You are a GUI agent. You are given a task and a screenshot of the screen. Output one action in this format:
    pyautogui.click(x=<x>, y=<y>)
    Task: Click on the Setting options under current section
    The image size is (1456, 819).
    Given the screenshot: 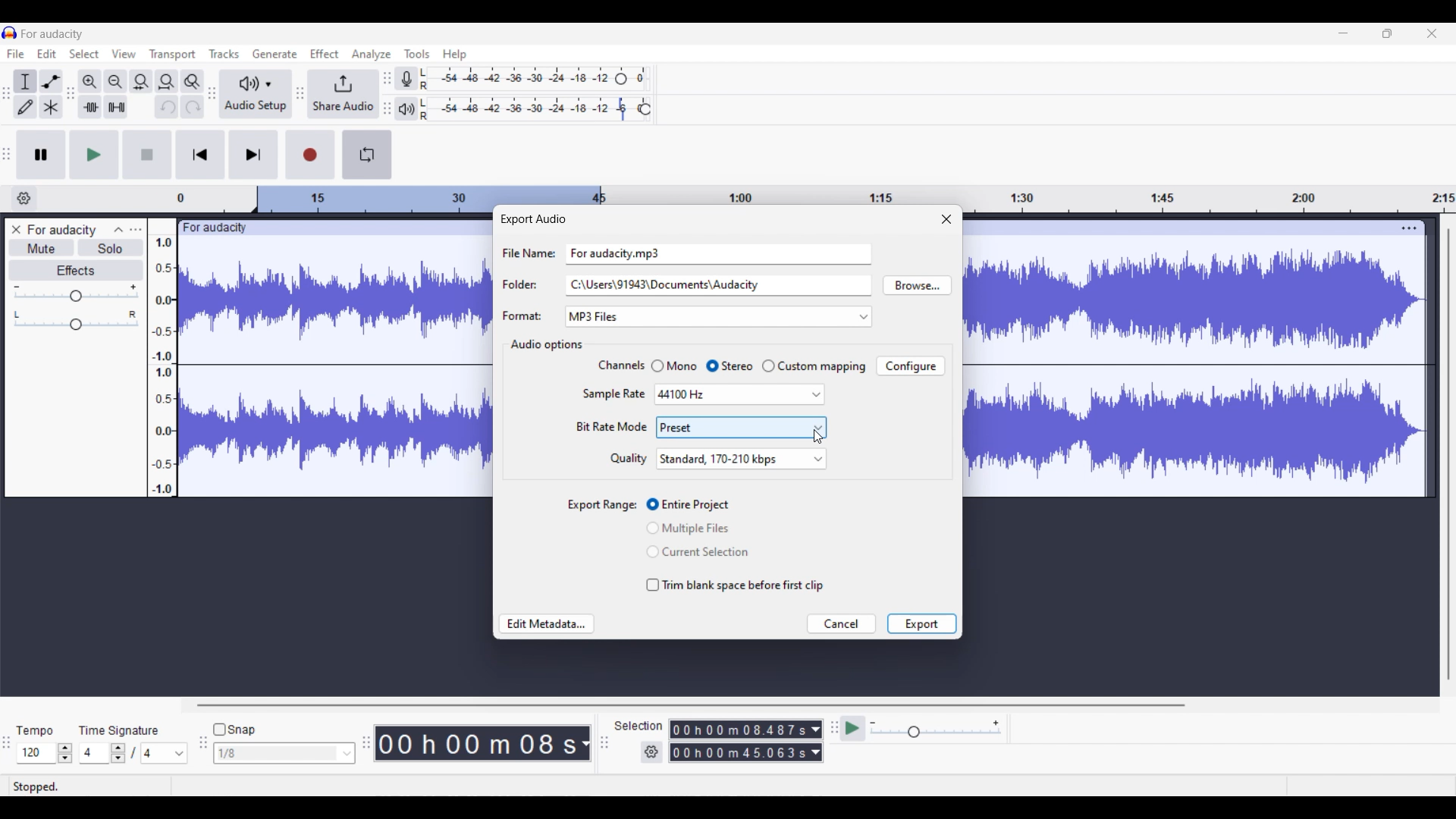 What is the action you would take?
    pyautogui.click(x=610, y=413)
    